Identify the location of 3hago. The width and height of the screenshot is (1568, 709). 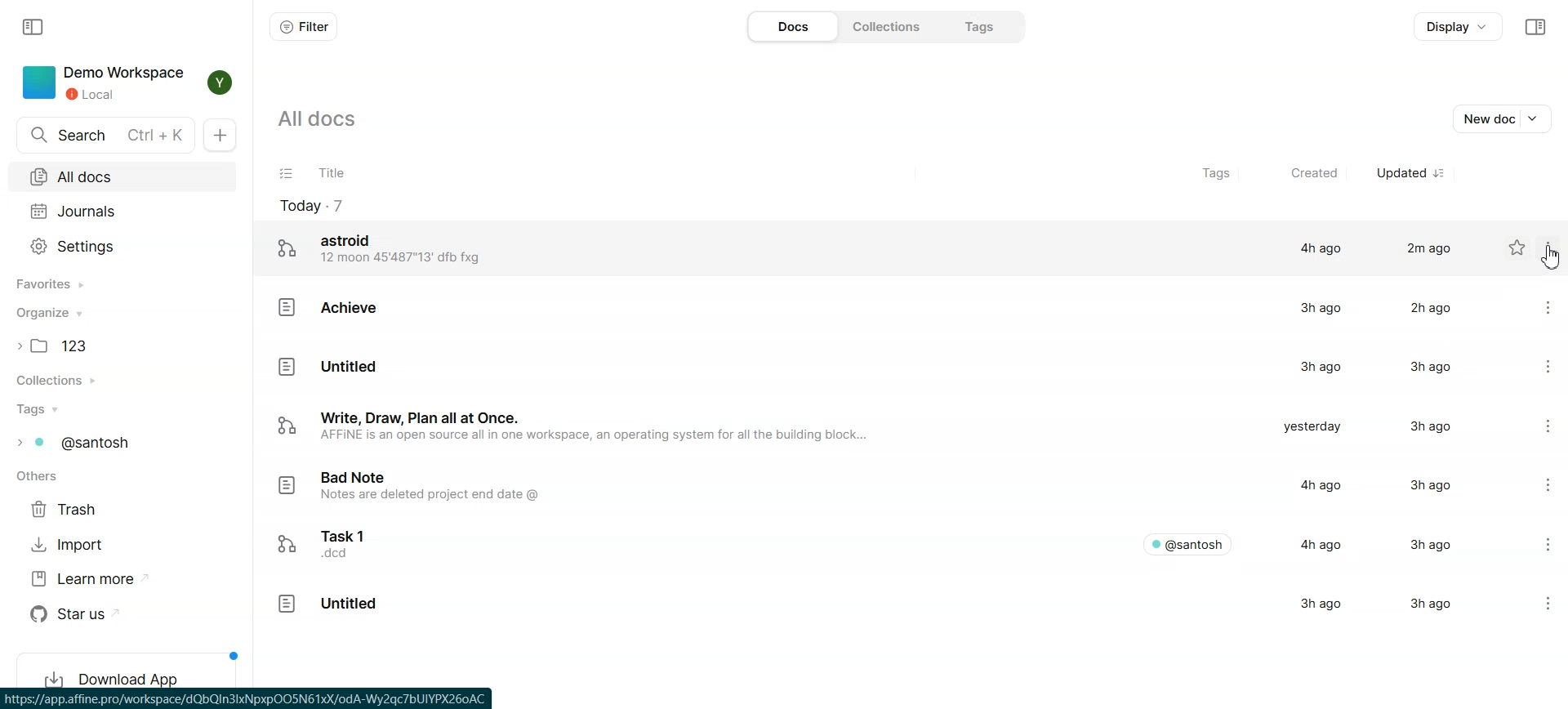
(1425, 428).